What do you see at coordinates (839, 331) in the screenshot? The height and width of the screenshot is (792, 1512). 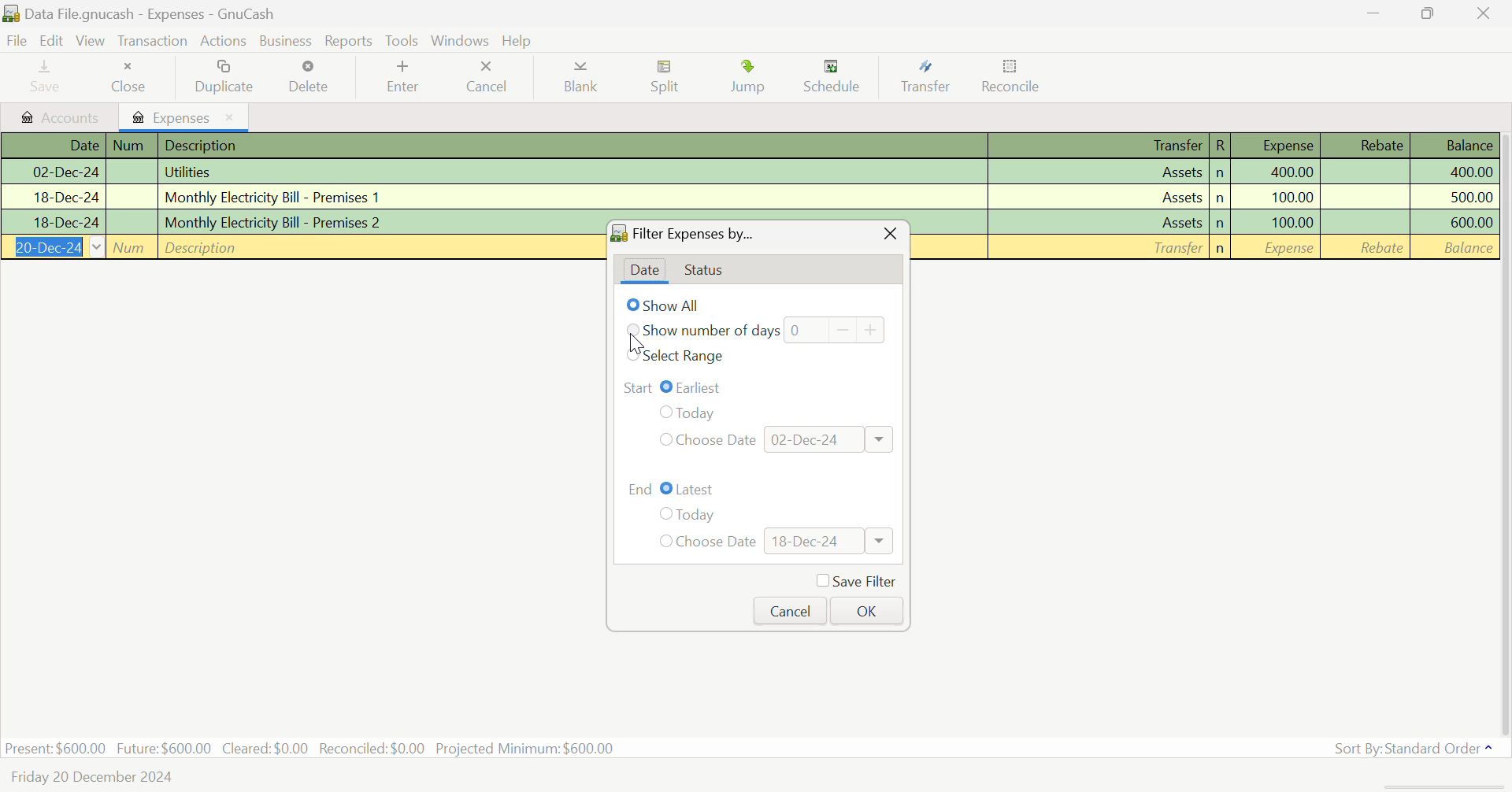 I see `Days counter` at bounding box center [839, 331].